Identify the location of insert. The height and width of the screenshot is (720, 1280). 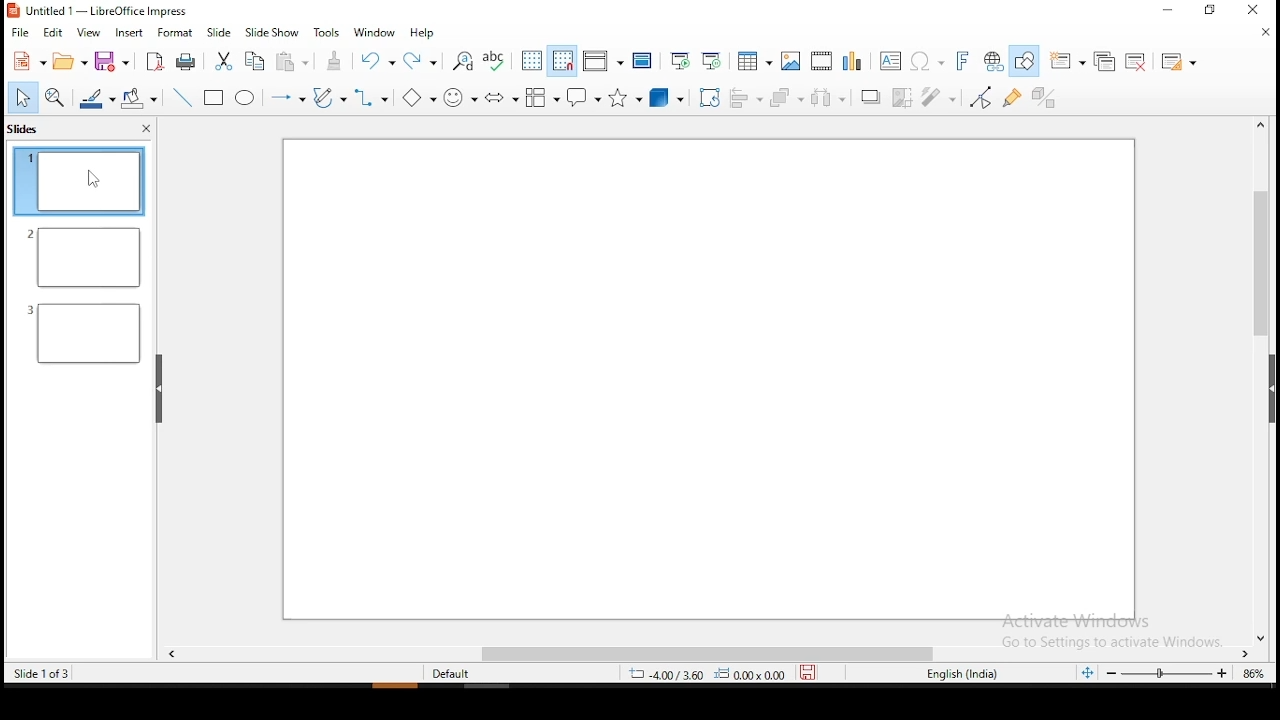
(127, 33).